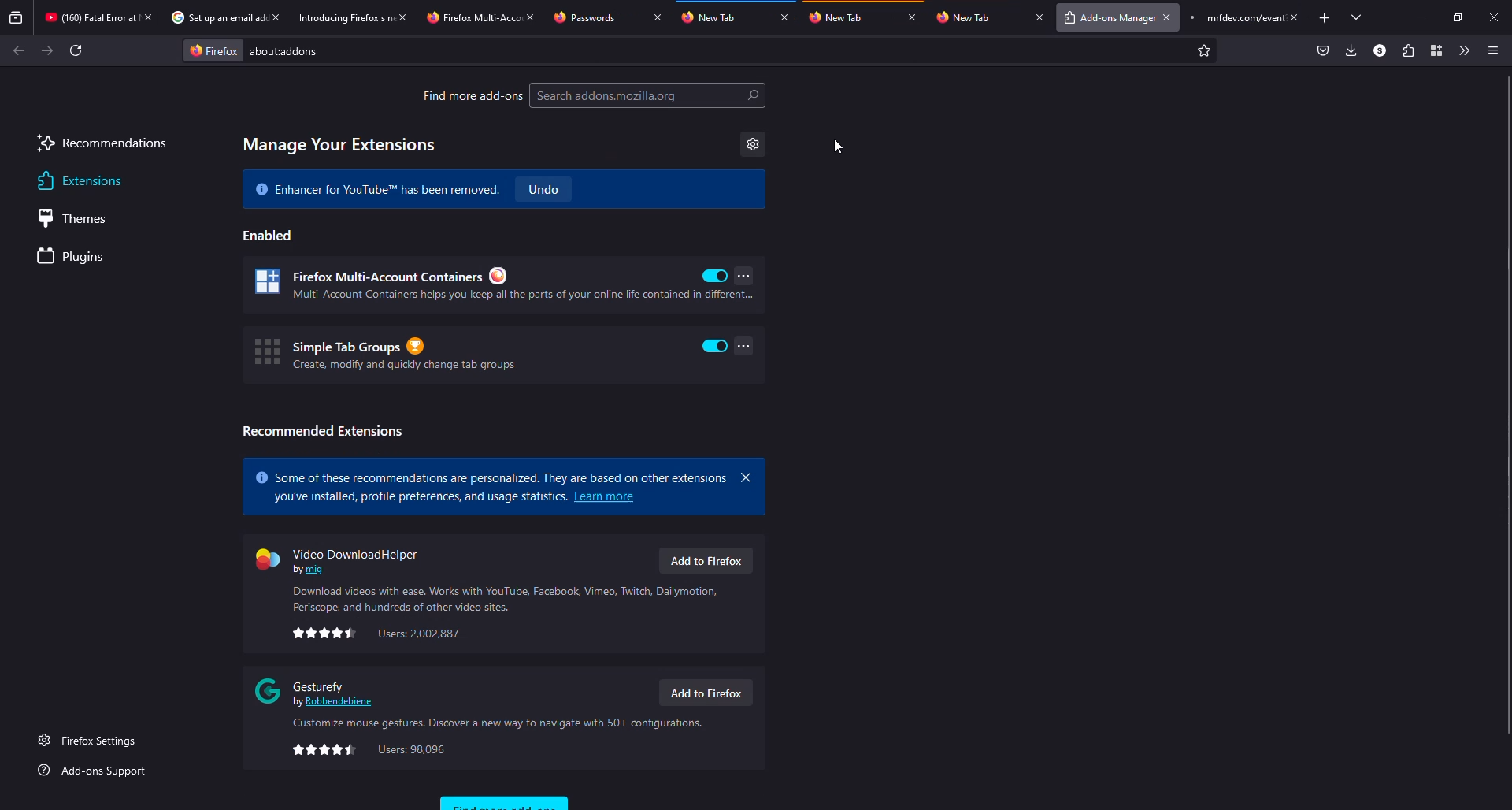  I want to click on enabled, so click(271, 235).